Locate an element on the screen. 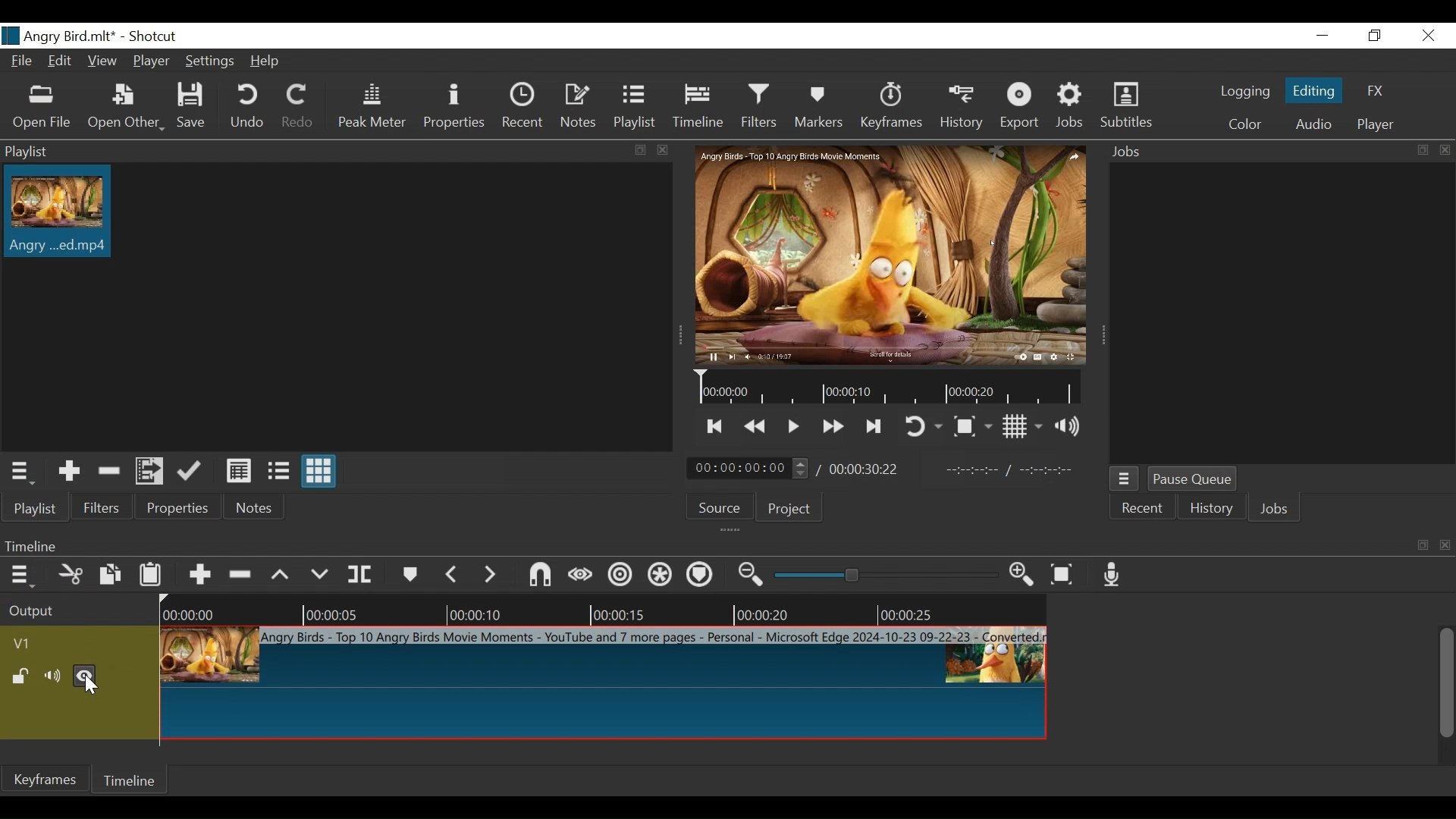 The width and height of the screenshot is (1456, 819). Audio is located at coordinates (1312, 124).